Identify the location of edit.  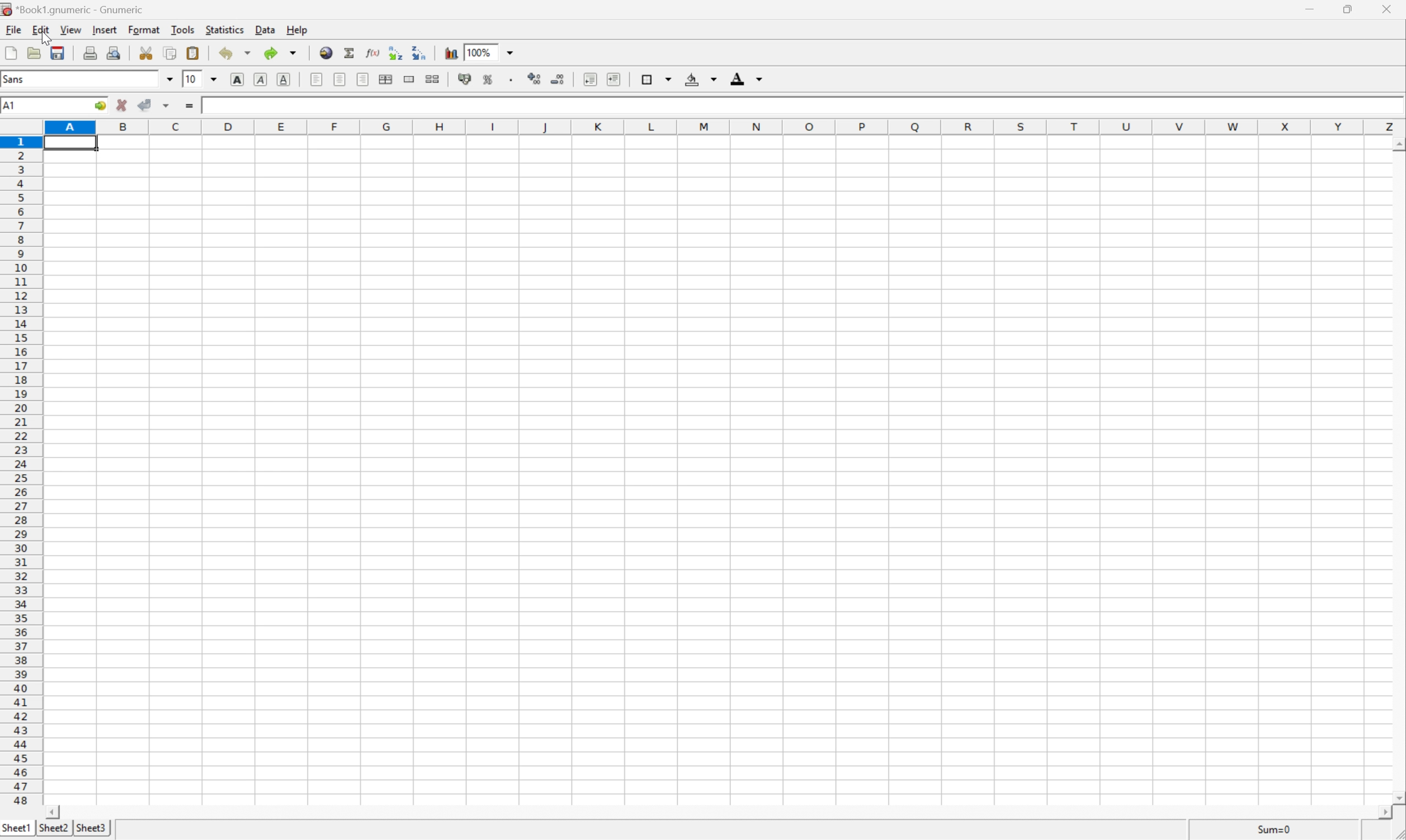
(40, 30).